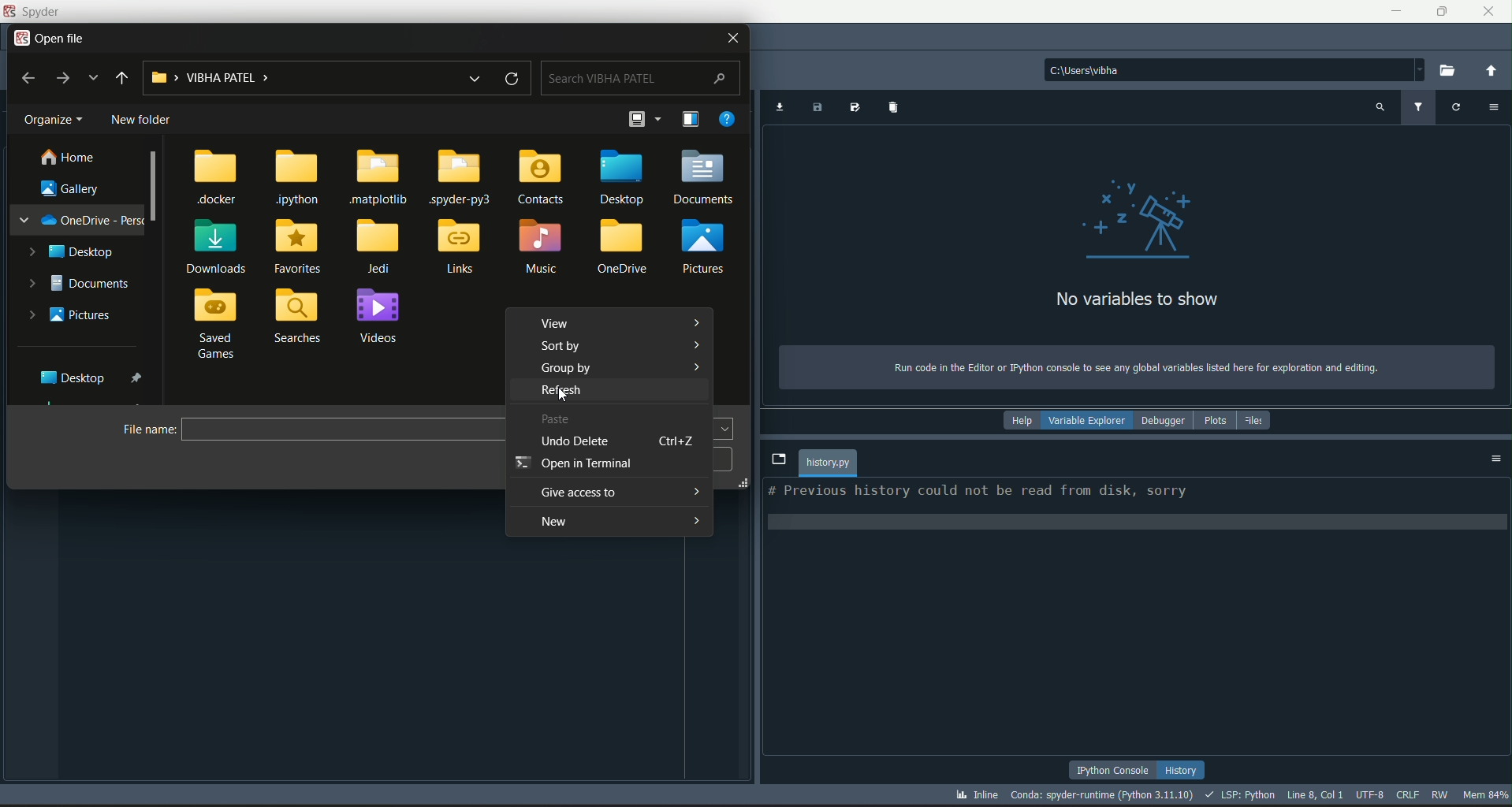 The width and height of the screenshot is (1512, 807). What do you see at coordinates (382, 177) in the screenshot?
I see `.matplotlib` at bounding box center [382, 177].